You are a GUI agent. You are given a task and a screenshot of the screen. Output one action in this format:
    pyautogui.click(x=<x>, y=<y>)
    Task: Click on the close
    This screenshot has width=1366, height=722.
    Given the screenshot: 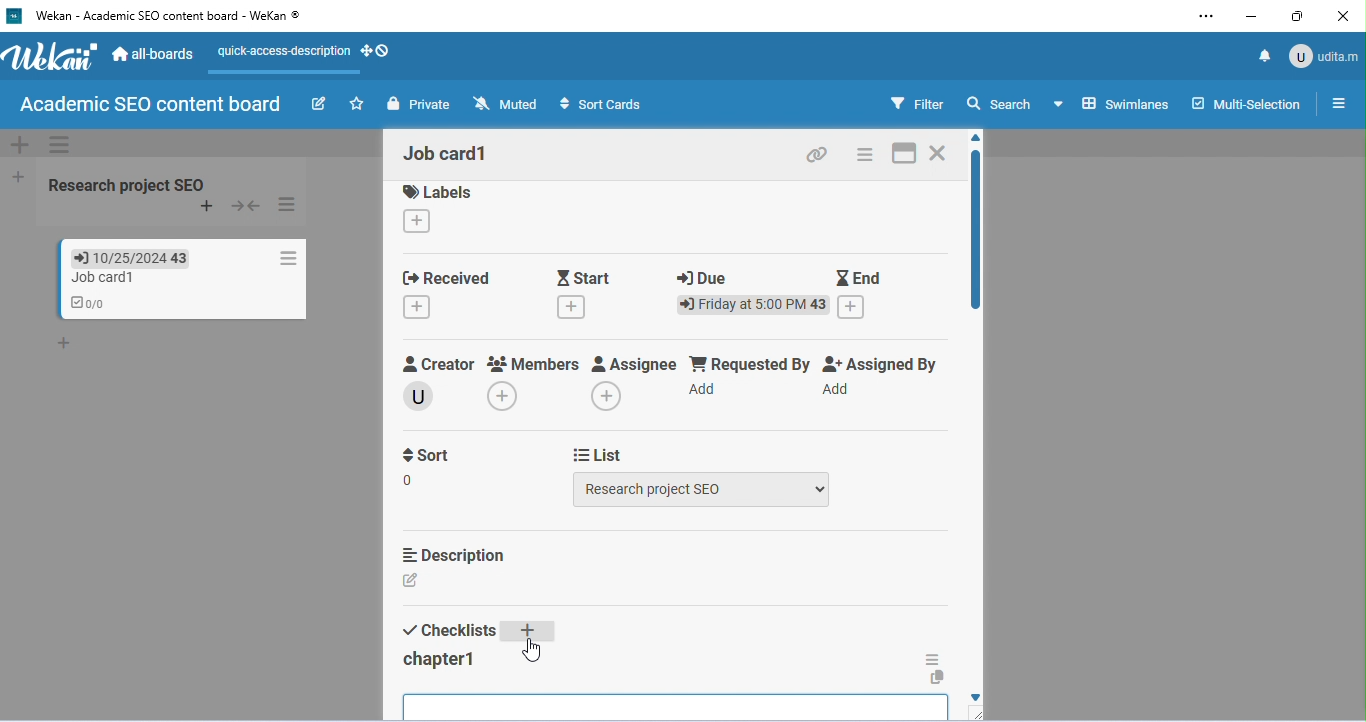 What is the action you would take?
    pyautogui.click(x=1342, y=17)
    